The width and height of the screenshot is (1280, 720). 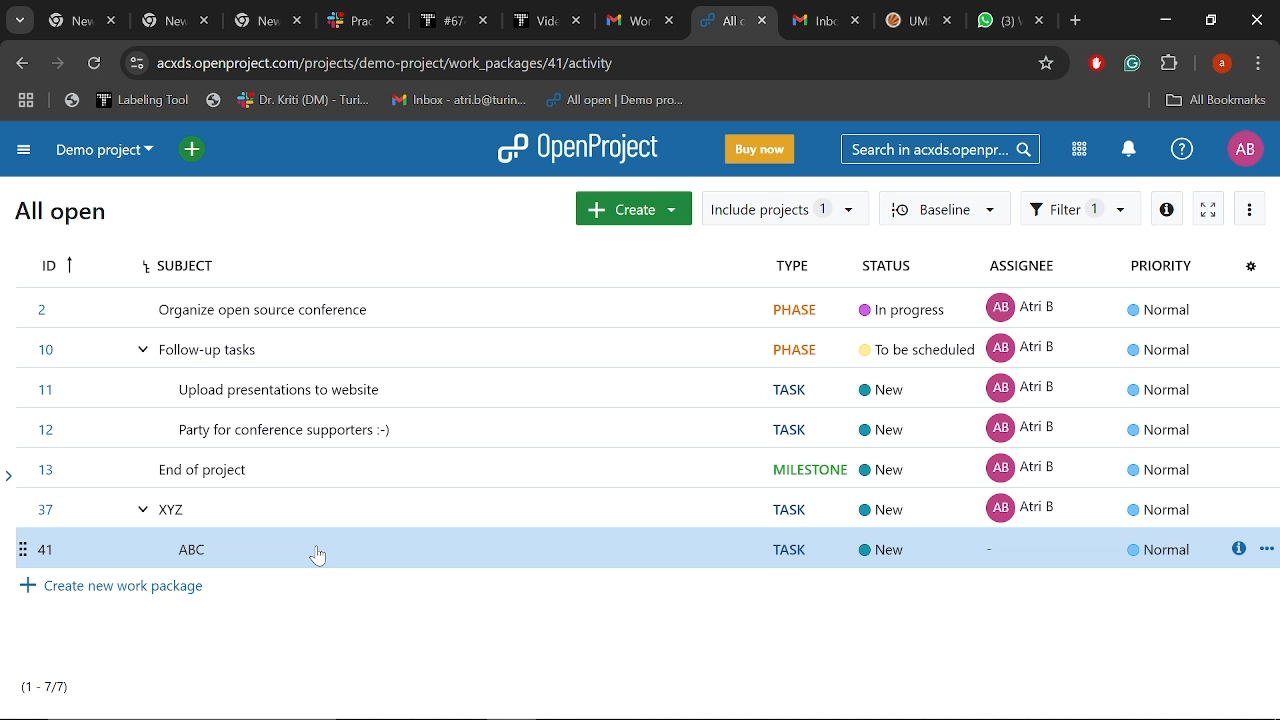 I want to click on Search in acxds.openproject, so click(x=943, y=149).